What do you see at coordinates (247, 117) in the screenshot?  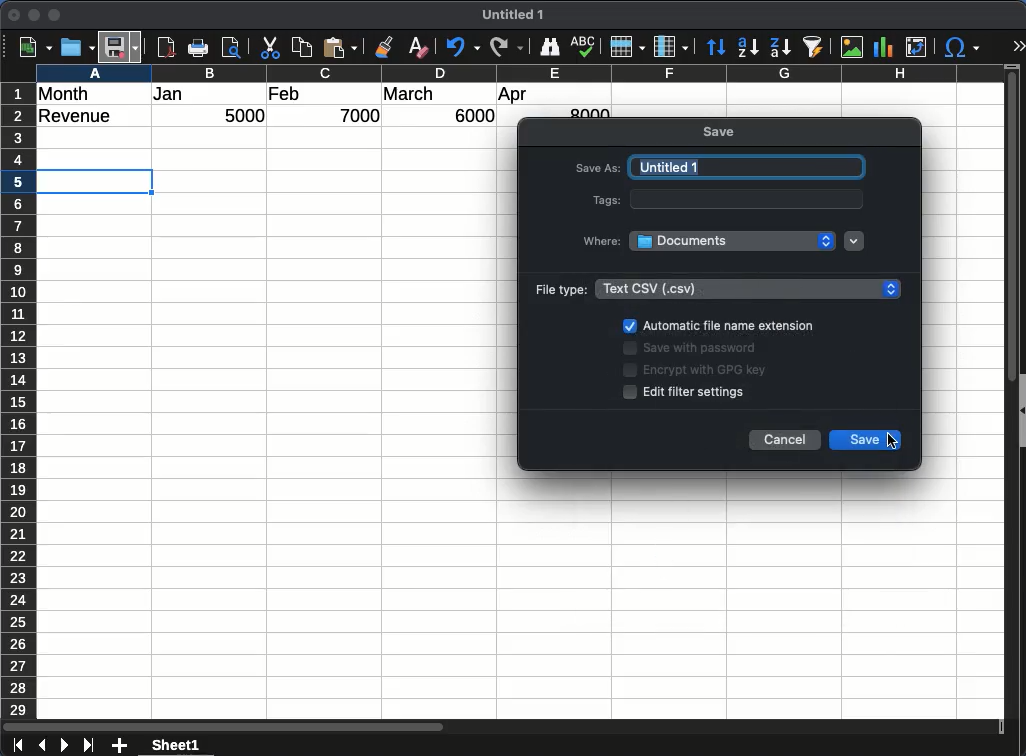 I see `5000` at bounding box center [247, 117].